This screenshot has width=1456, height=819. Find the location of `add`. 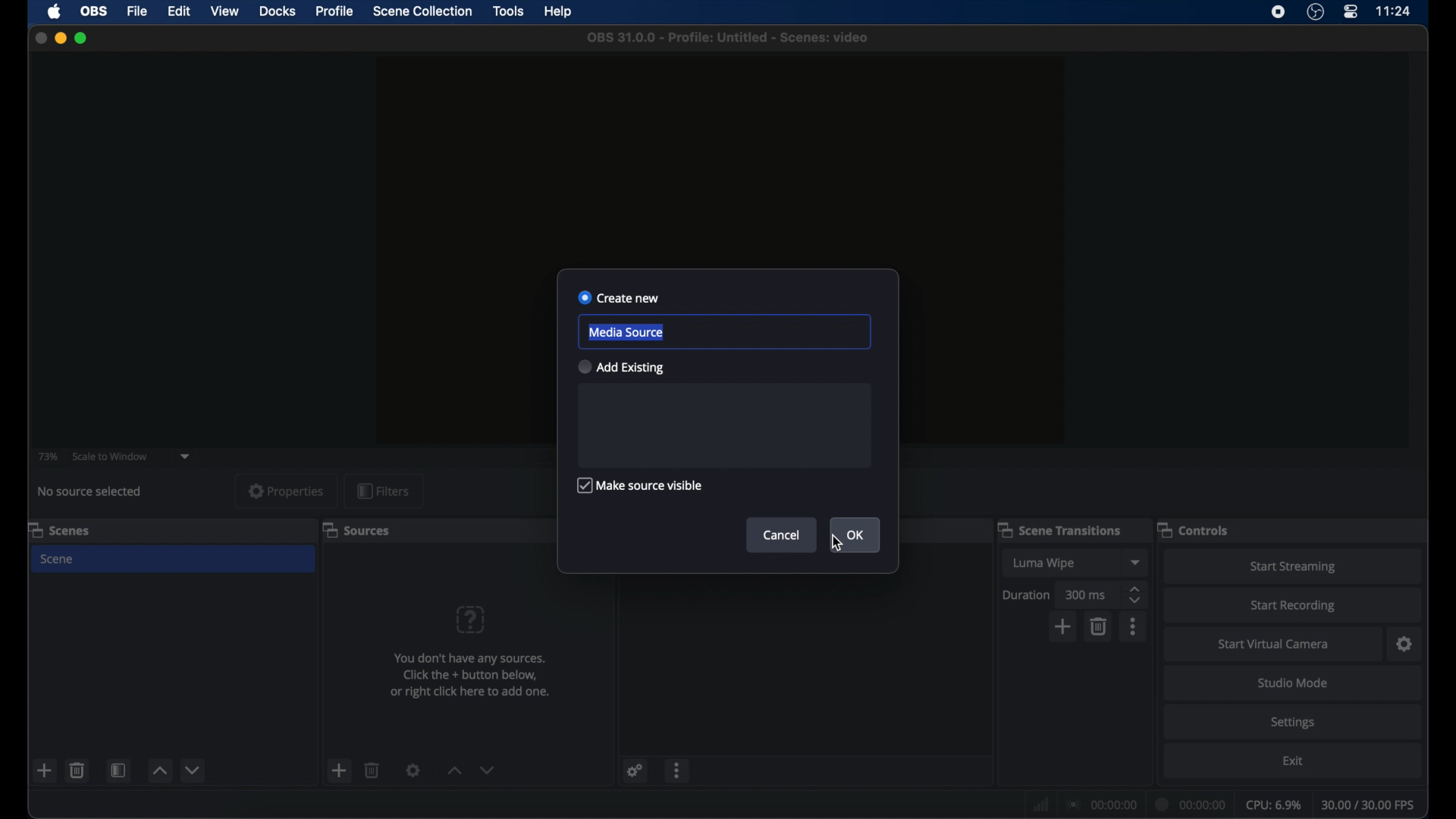

add is located at coordinates (1064, 626).